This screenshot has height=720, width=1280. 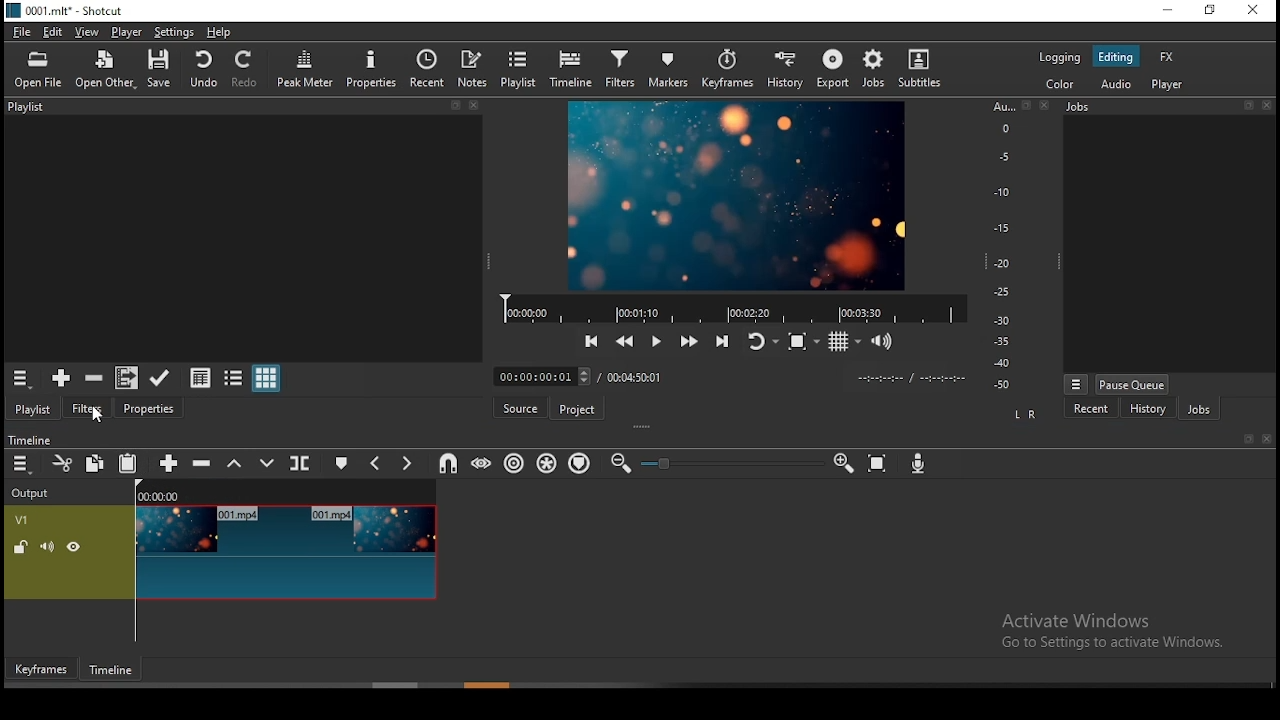 What do you see at coordinates (406, 461) in the screenshot?
I see `next marker` at bounding box center [406, 461].